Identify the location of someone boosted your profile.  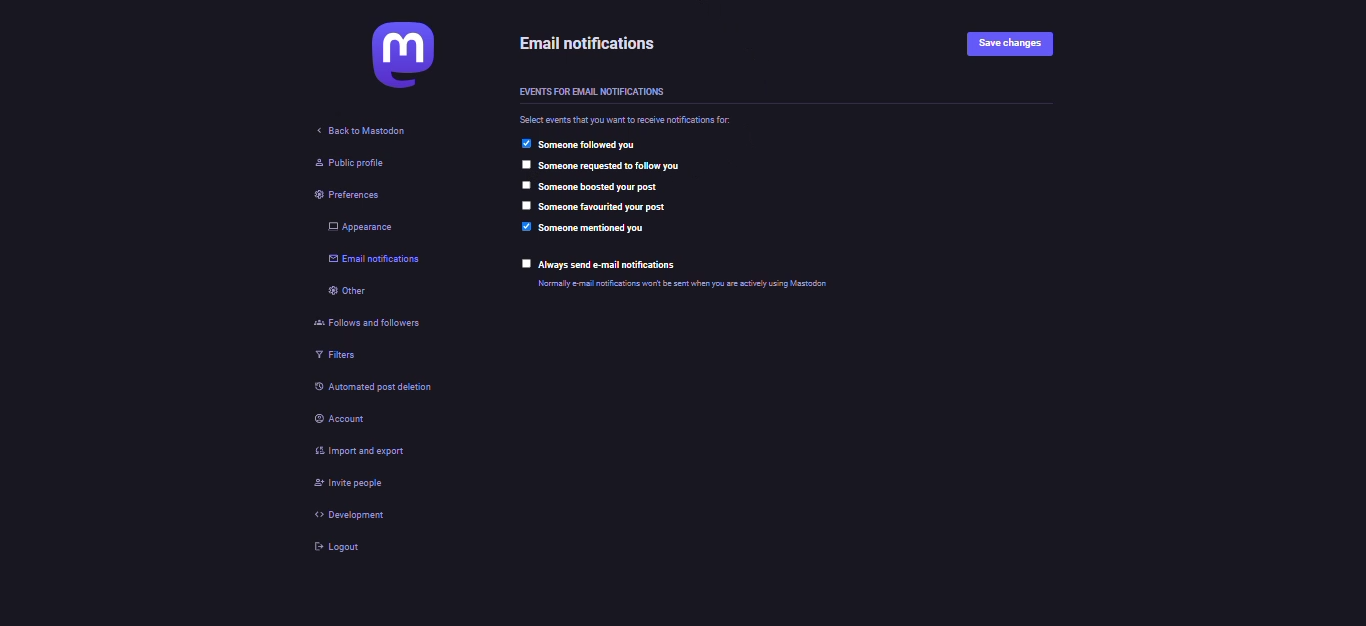
(603, 187).